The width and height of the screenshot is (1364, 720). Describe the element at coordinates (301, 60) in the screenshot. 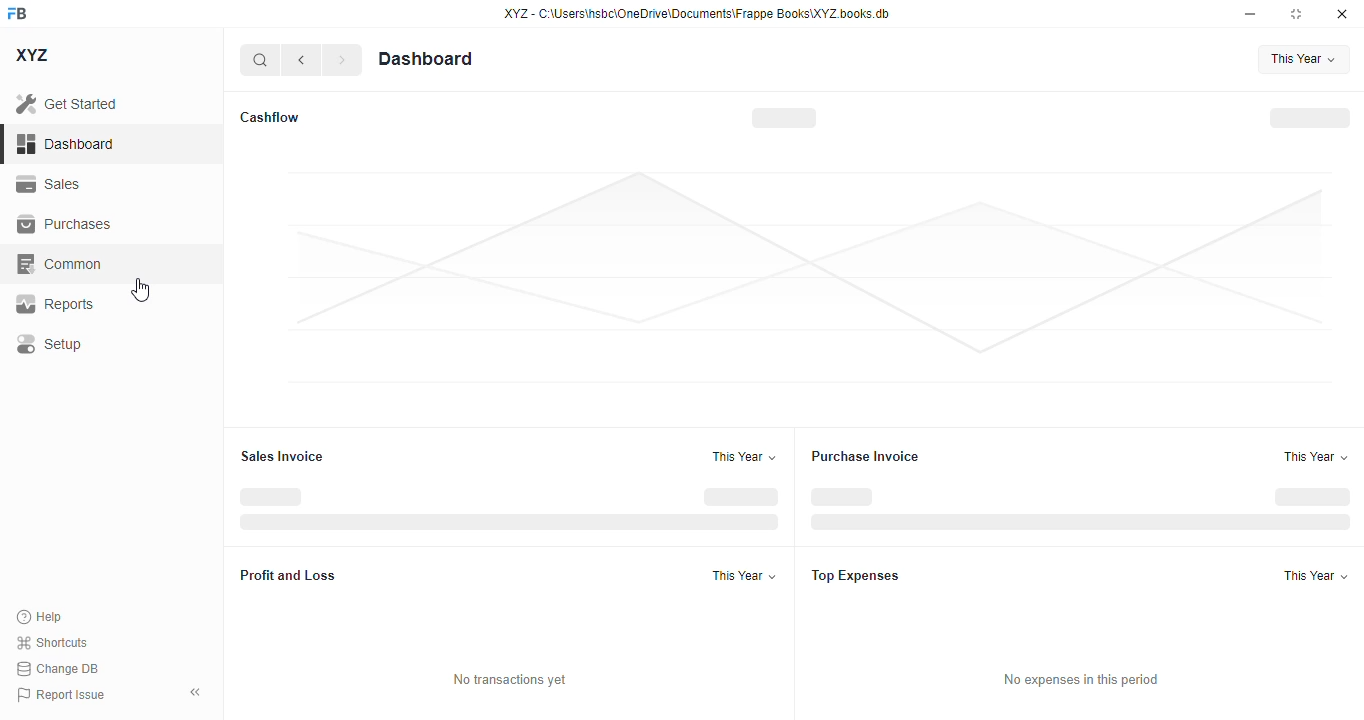

I see `previous` at that location.